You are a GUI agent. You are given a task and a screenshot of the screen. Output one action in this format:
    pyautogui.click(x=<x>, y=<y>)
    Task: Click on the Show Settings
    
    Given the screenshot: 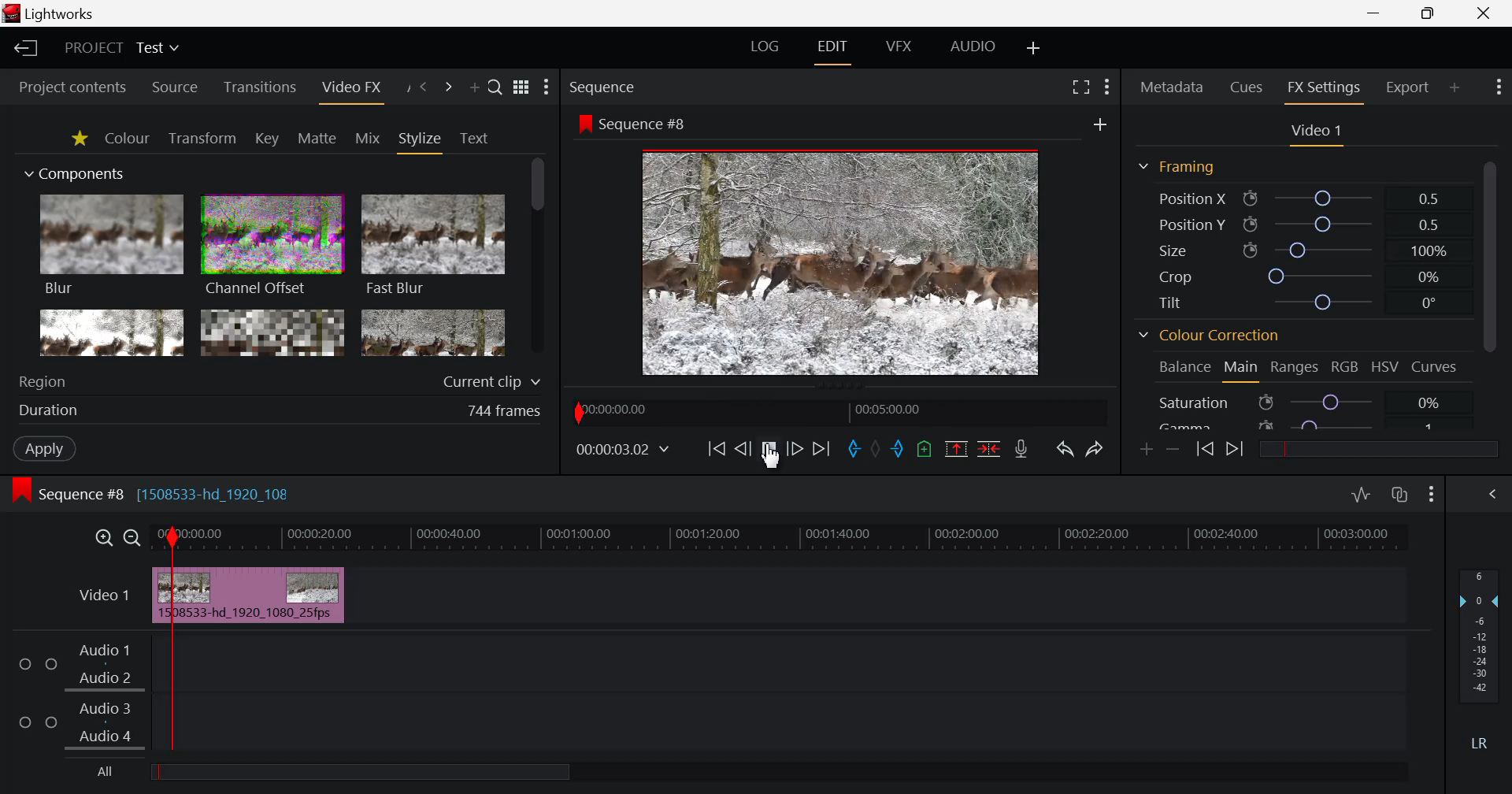 What is the action you would take?
    pyautogui.click(x=547, y=87)
    